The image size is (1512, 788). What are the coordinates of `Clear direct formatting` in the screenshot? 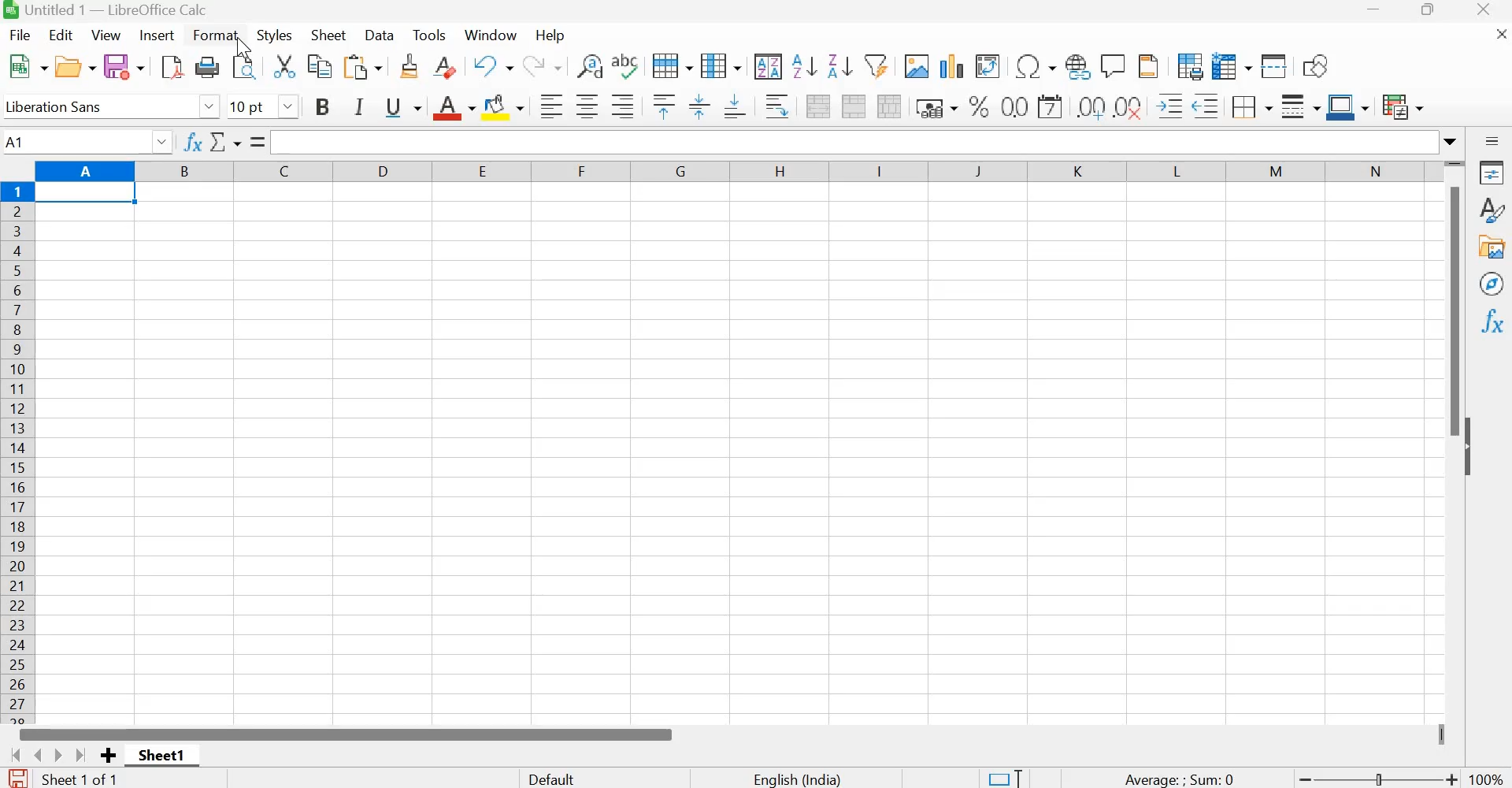 It's located at (444, 66).